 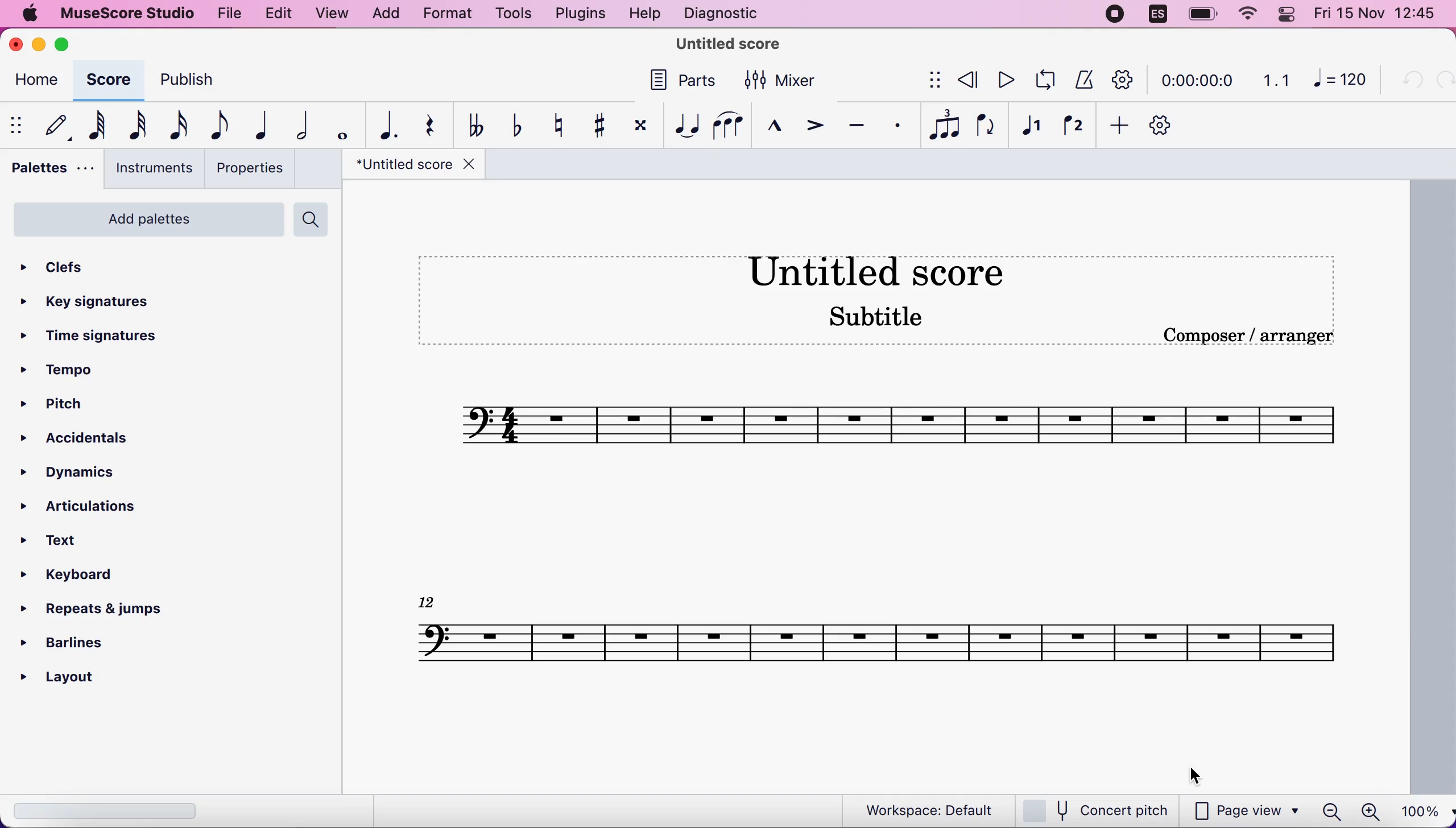 I want to click on show/hide, so click(x=20, y=124).